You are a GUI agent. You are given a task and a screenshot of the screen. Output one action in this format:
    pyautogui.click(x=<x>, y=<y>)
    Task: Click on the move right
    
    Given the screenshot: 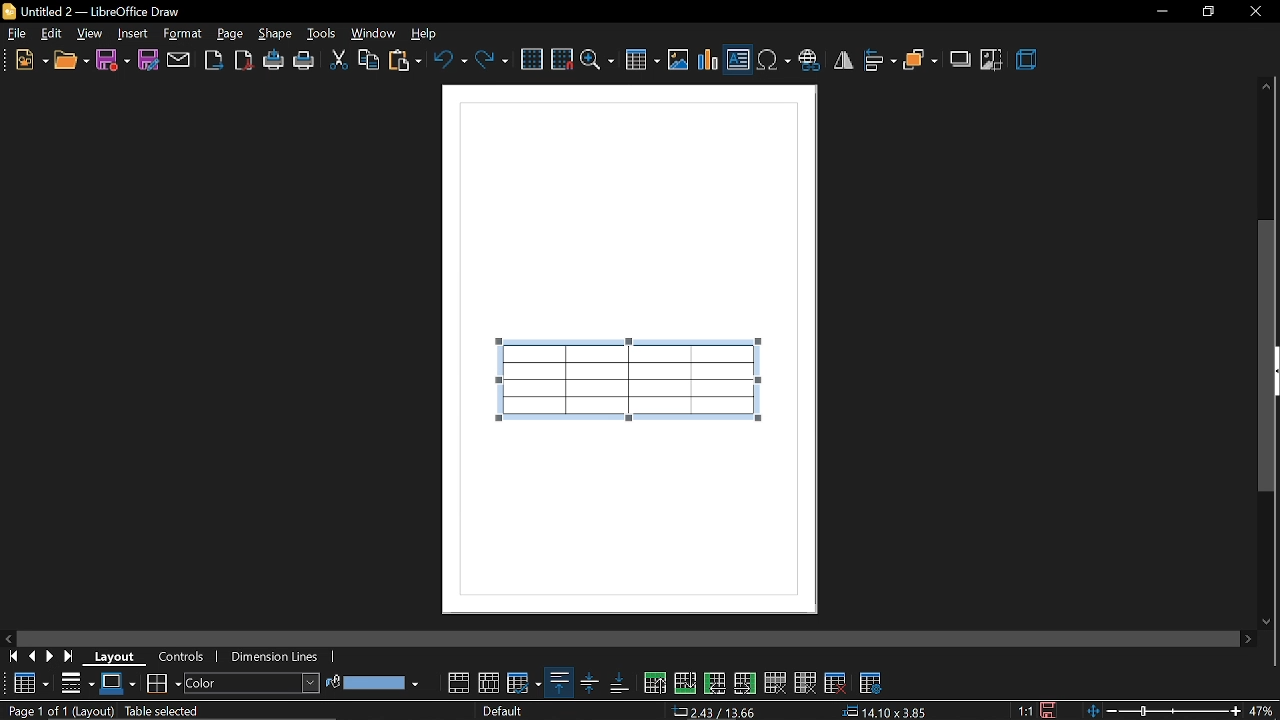 What is the action you would take?
    pyautogui.click(x=1250, y=638)
    